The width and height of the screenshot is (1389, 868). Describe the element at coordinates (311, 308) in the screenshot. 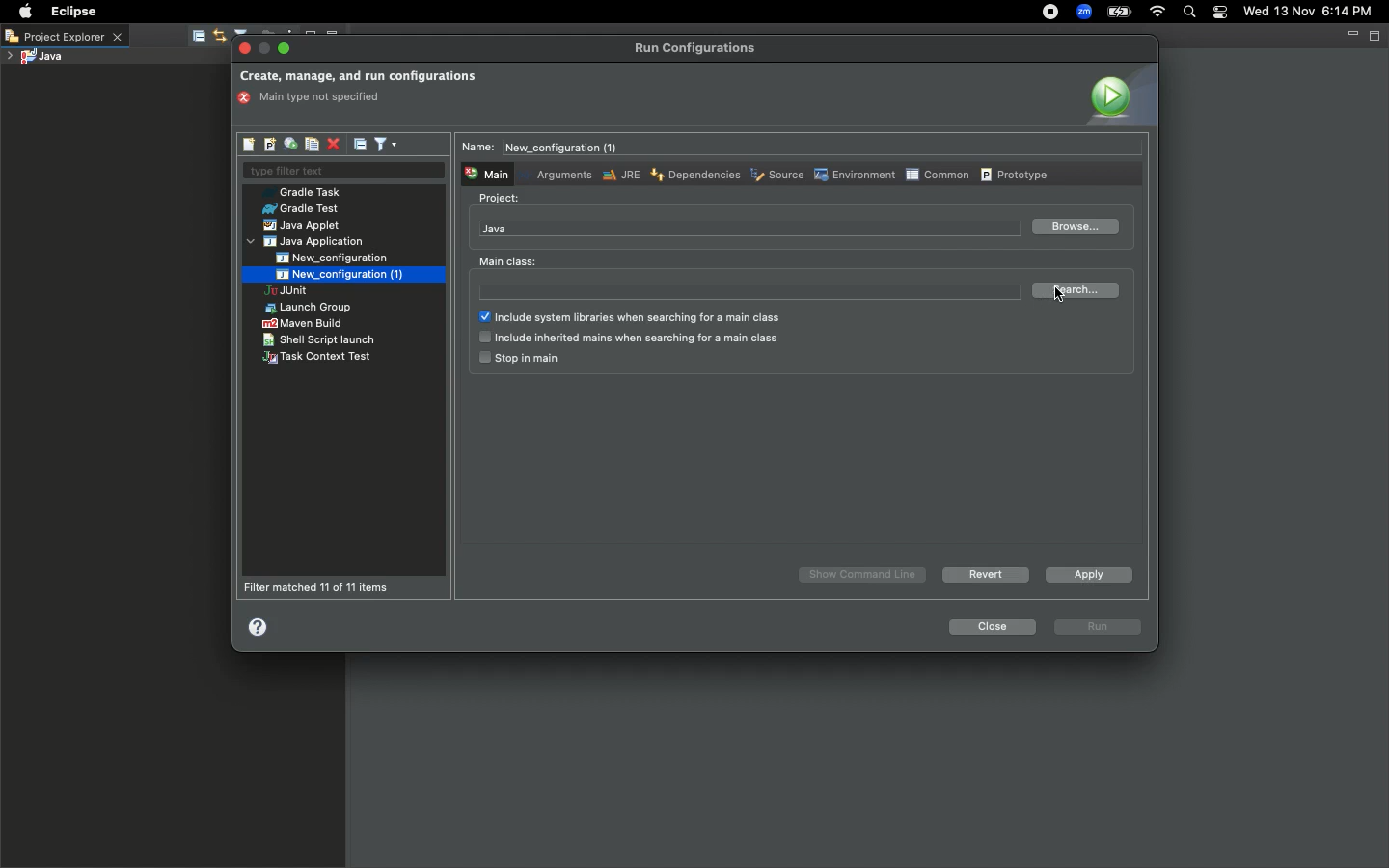

I see `Launch group` at that location.